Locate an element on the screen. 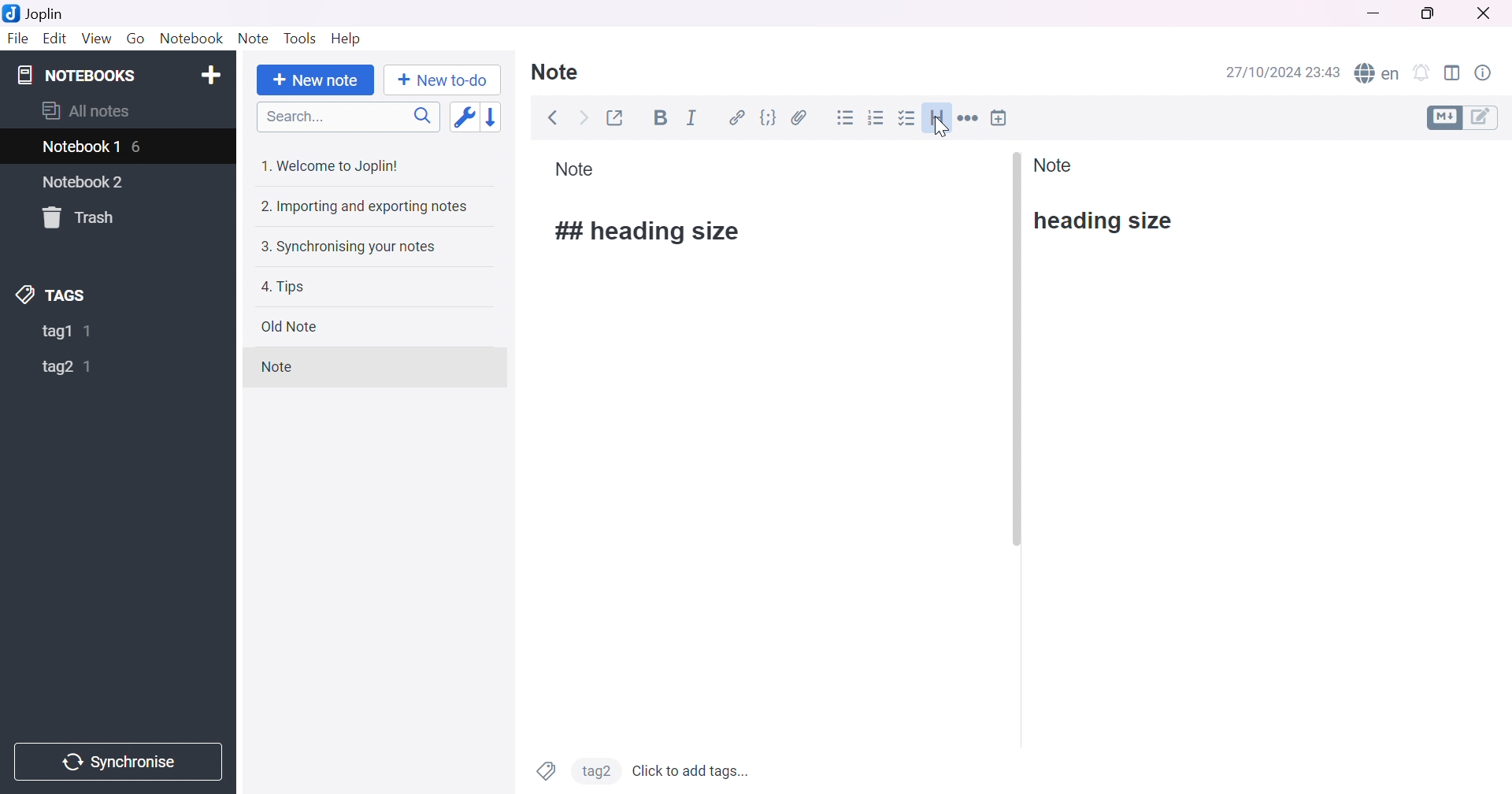 The width and height of the screenshot is (1512, 794). Toggle sort order field: custom -> updated date is located at coordinates (462, 116).